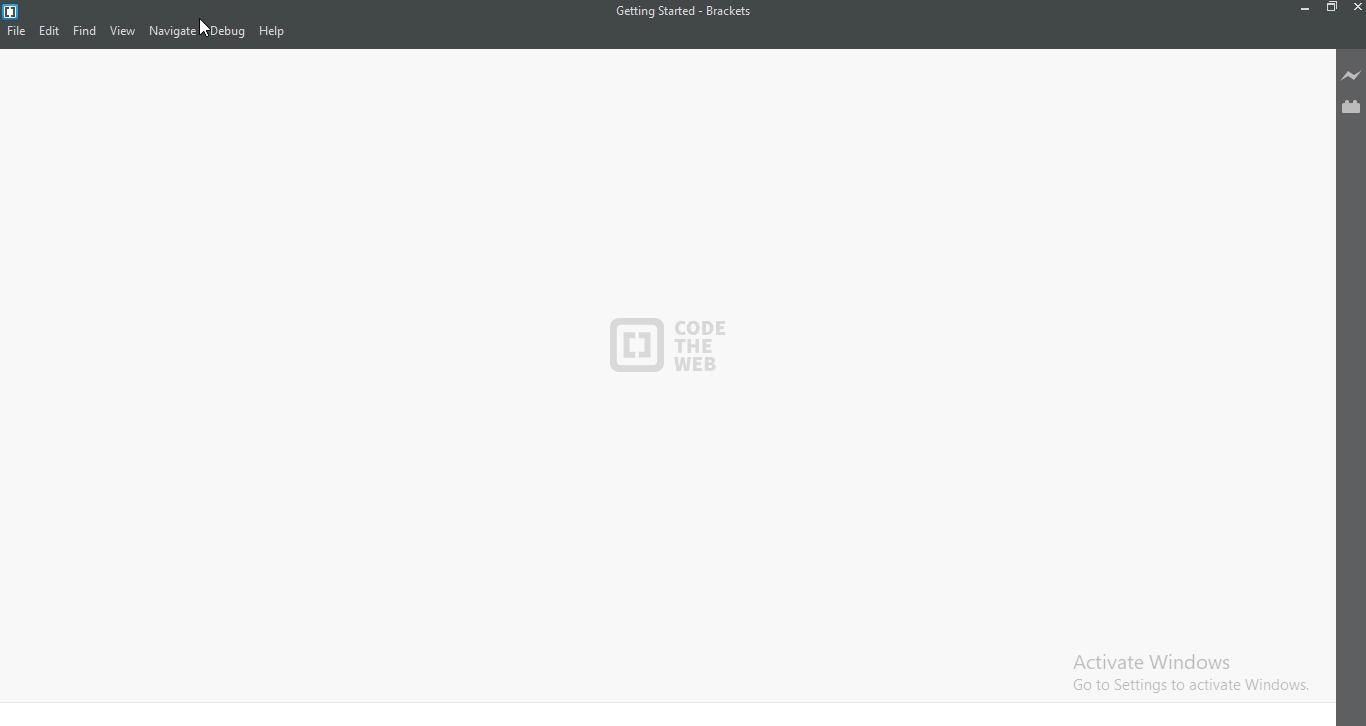 The width and height of the screenshot is (1366, 726). What do you see at coordinates (1351, 75) in the screenshot?
I see `Live preview` at bounding box center [1351, 75].